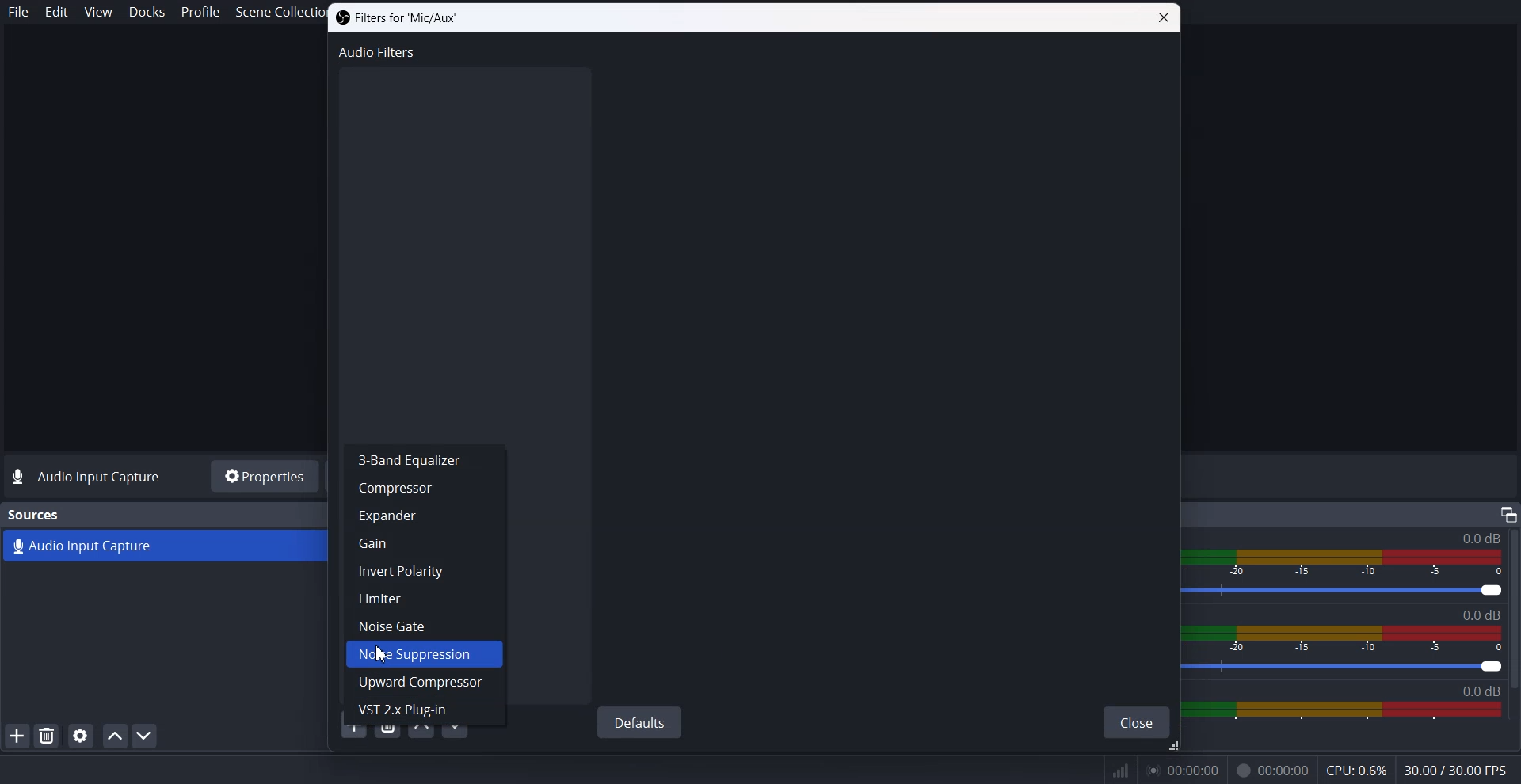 Image resolution: width=1521 pixels, height=784 pixels. I want to click on Volume Indicator, so click(1355, 640).